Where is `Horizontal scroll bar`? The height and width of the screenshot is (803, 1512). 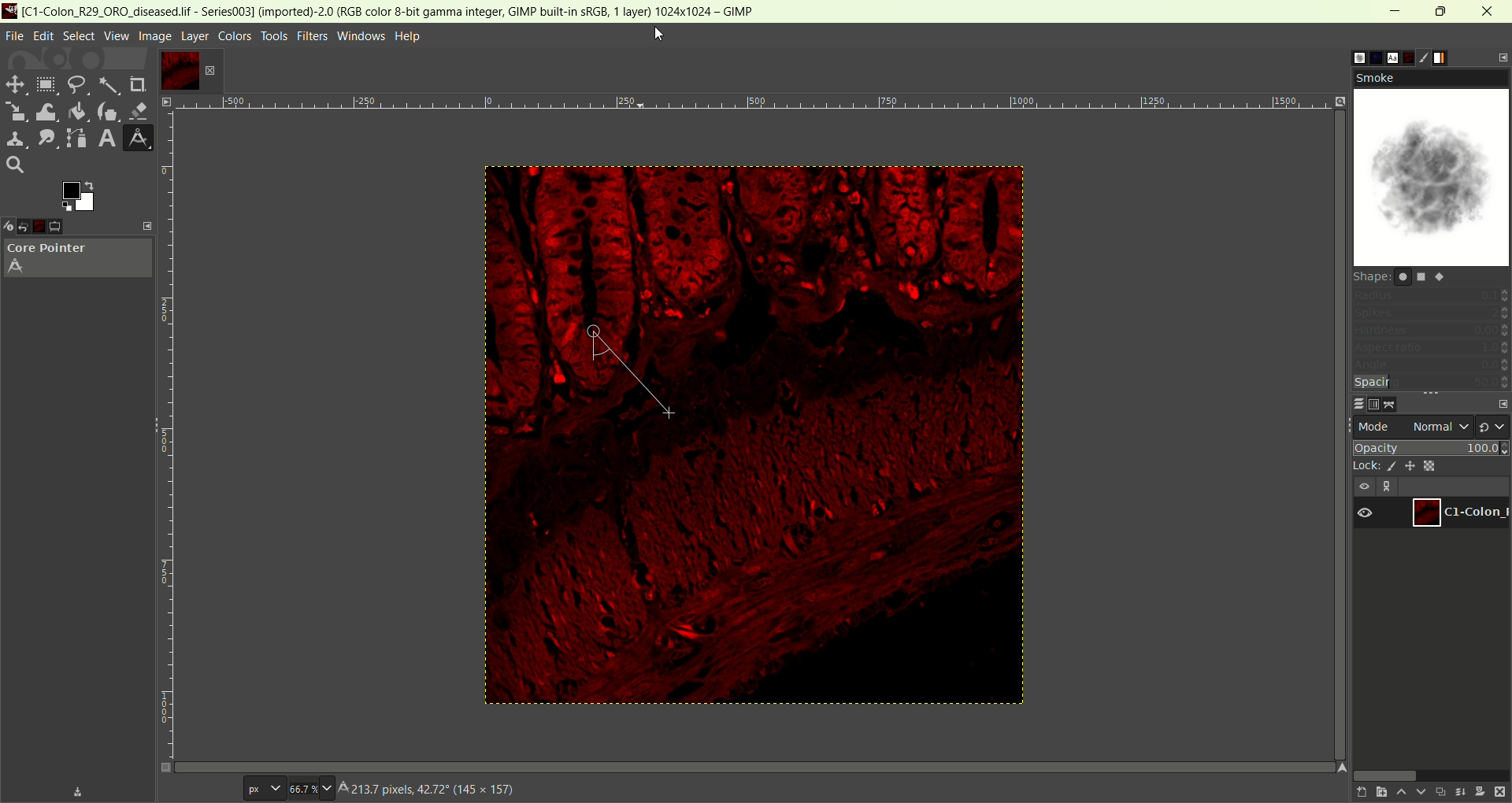
Horizontal scroll bar is located at coordinates (773, 764).